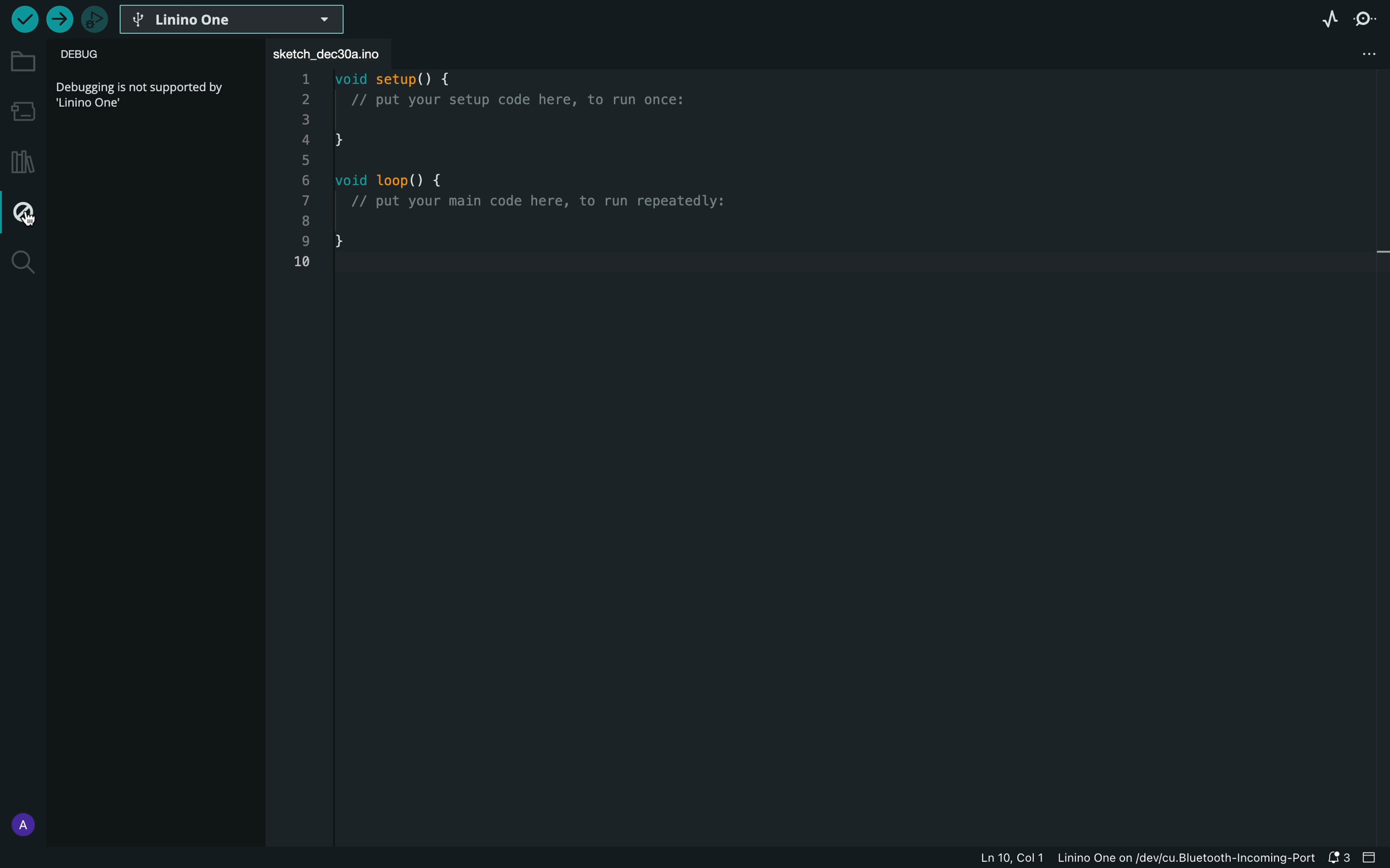 This screenshot has height=868, width=1390. I want to click on serial monitor, so click(1366, 18).